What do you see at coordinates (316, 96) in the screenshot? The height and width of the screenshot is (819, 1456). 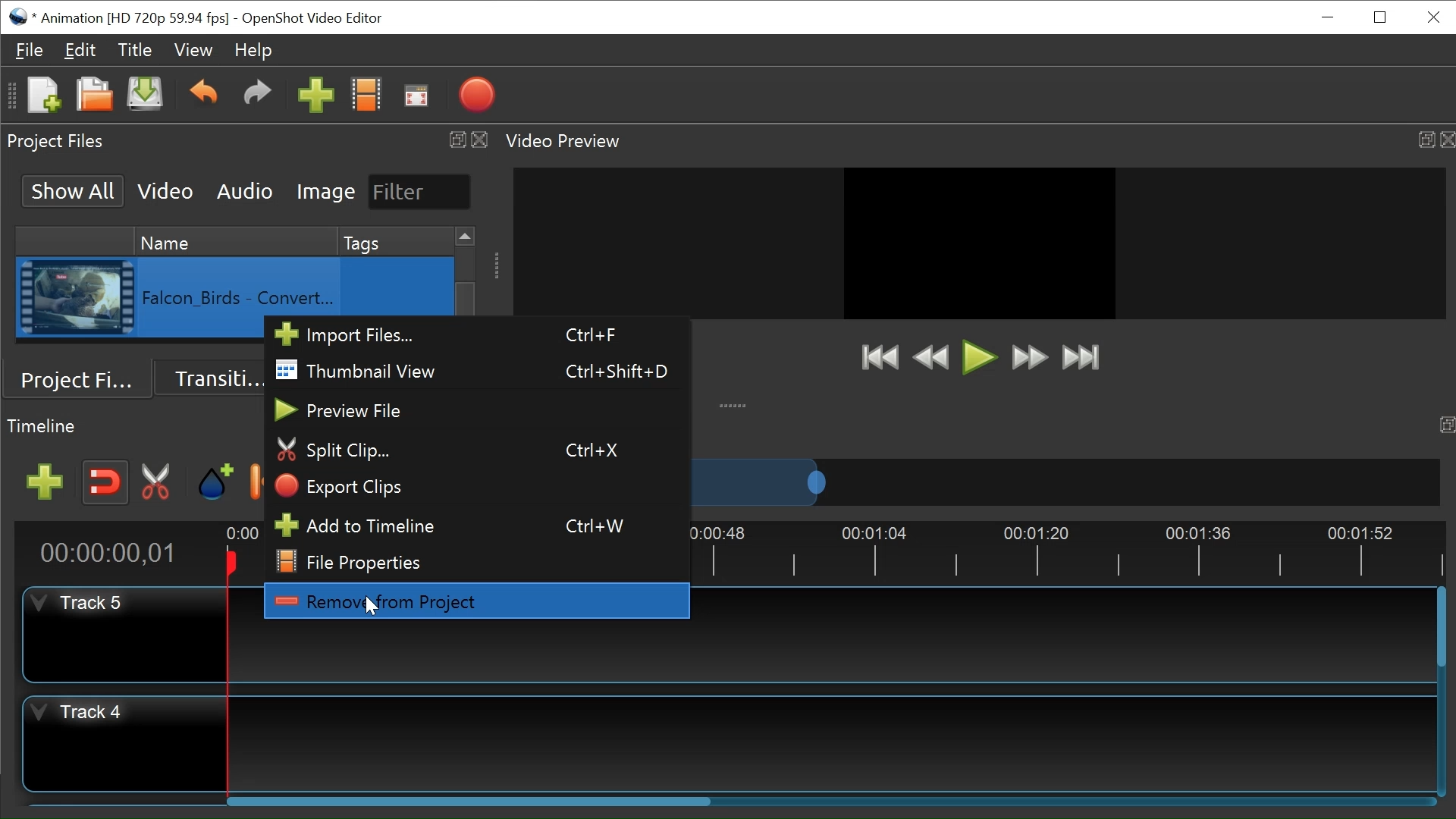 I see `Import Files` at bounding box center [316, 96].